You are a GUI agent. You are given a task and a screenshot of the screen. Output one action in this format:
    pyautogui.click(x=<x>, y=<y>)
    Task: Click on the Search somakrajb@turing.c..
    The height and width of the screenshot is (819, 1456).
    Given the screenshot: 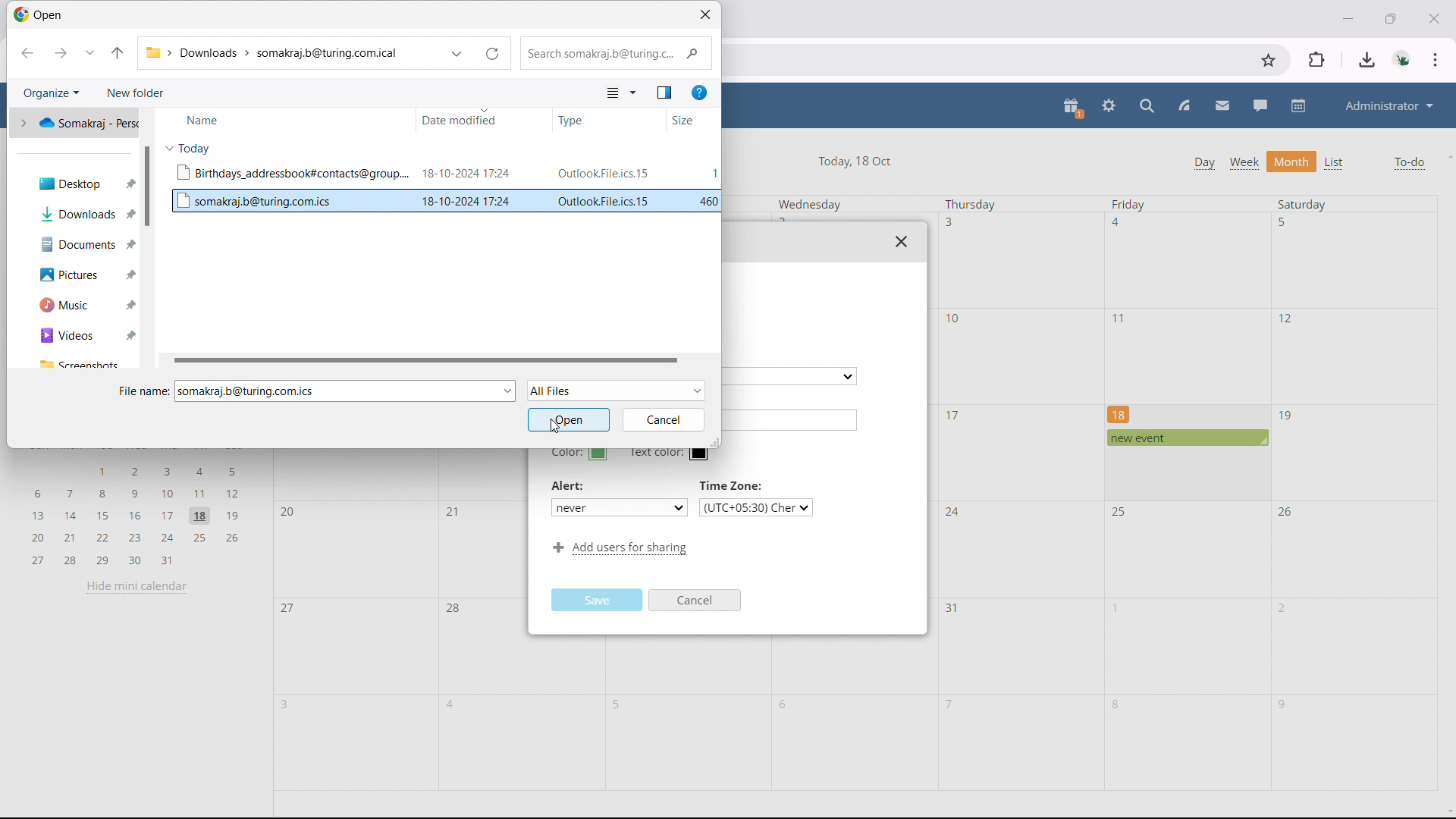 What is the action you would take?
    pyautogui.click(x=615, y=54)
    